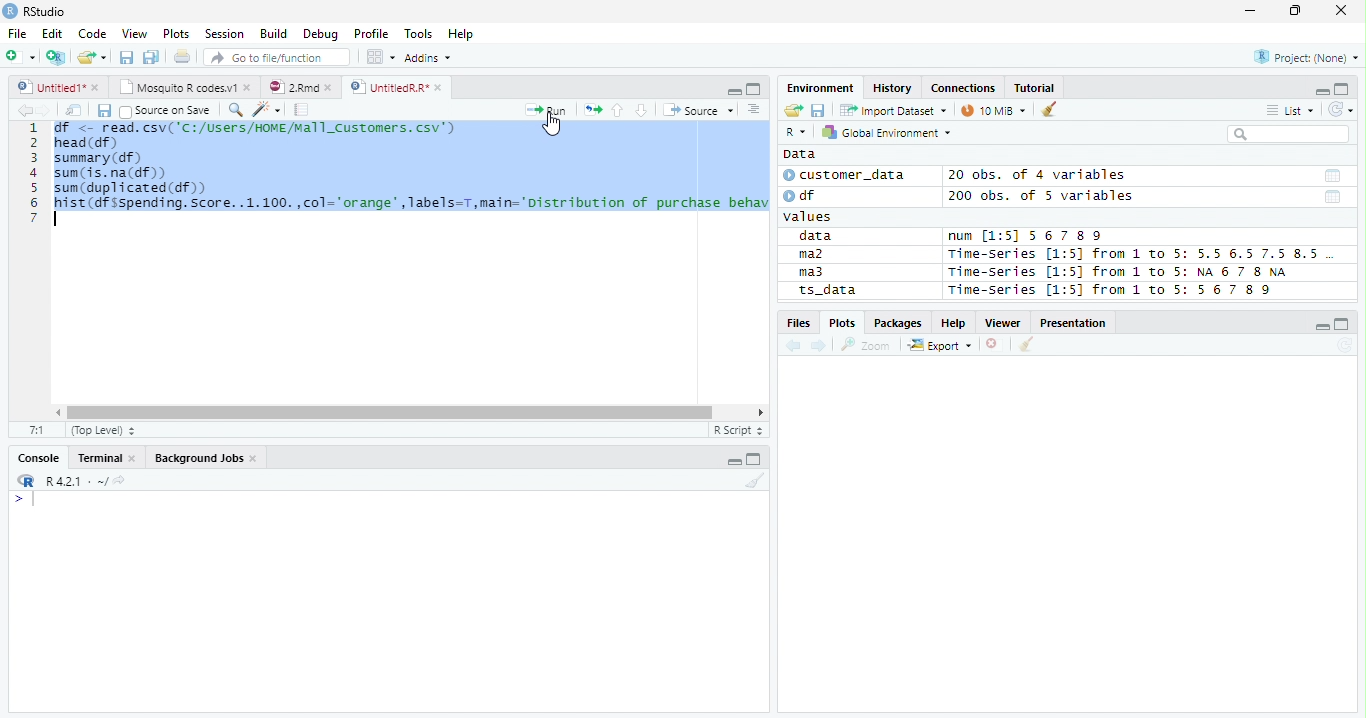  Describe the element at coordinates (842, 322) in the screenshot. I see `Plots` at that location.